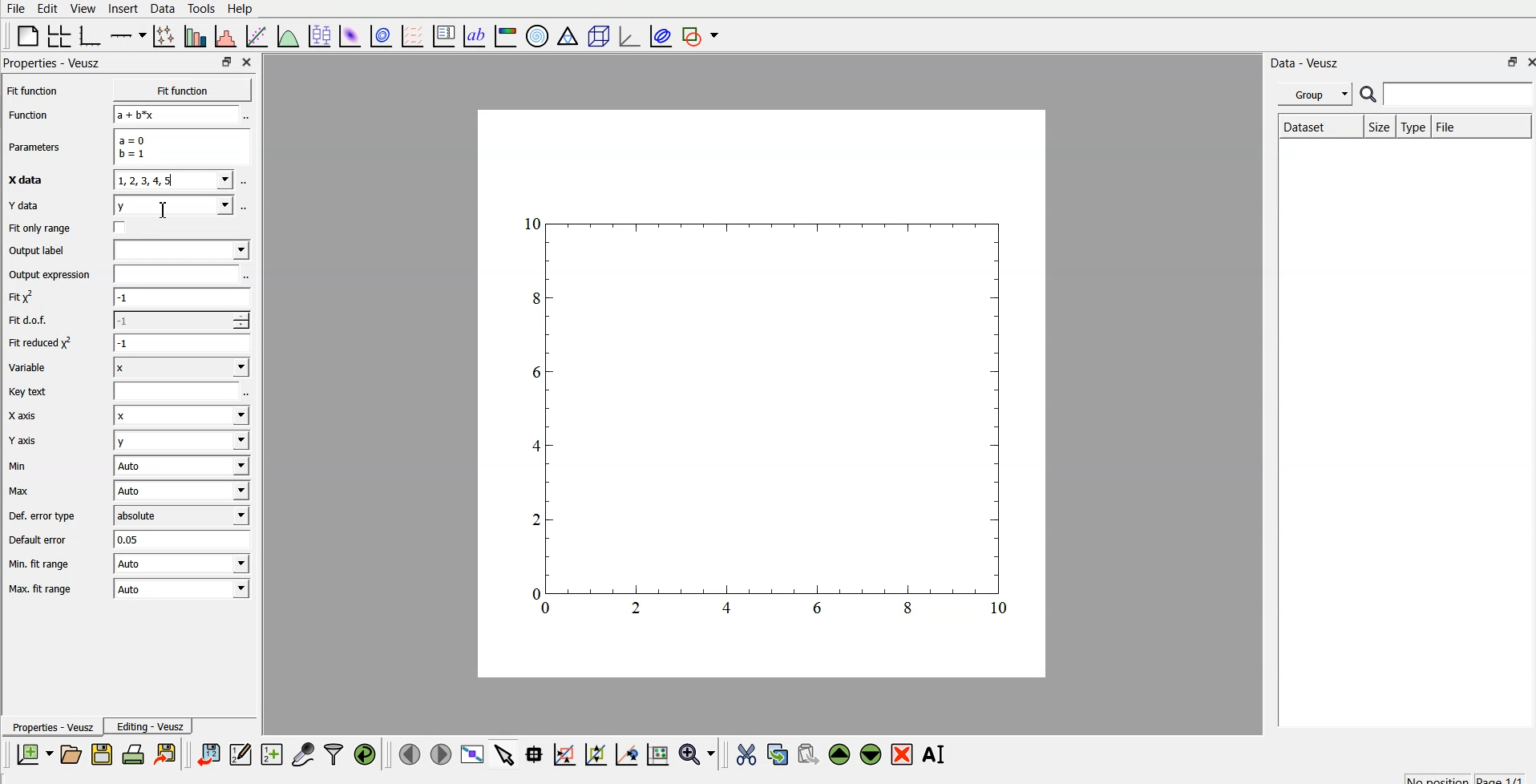 This screenshot has height=784, width=1536. I want to click on plot covariance ellipse, so click(663, 38).